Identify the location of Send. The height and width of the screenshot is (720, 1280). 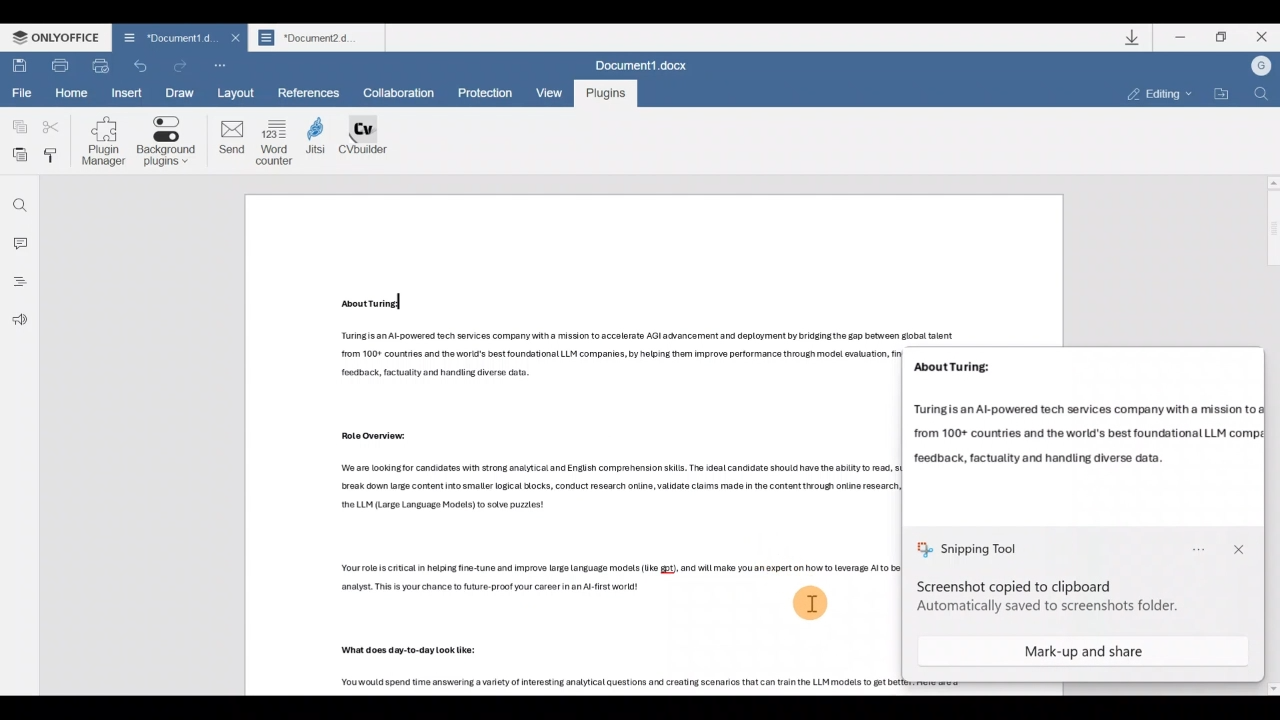
(226, 140).